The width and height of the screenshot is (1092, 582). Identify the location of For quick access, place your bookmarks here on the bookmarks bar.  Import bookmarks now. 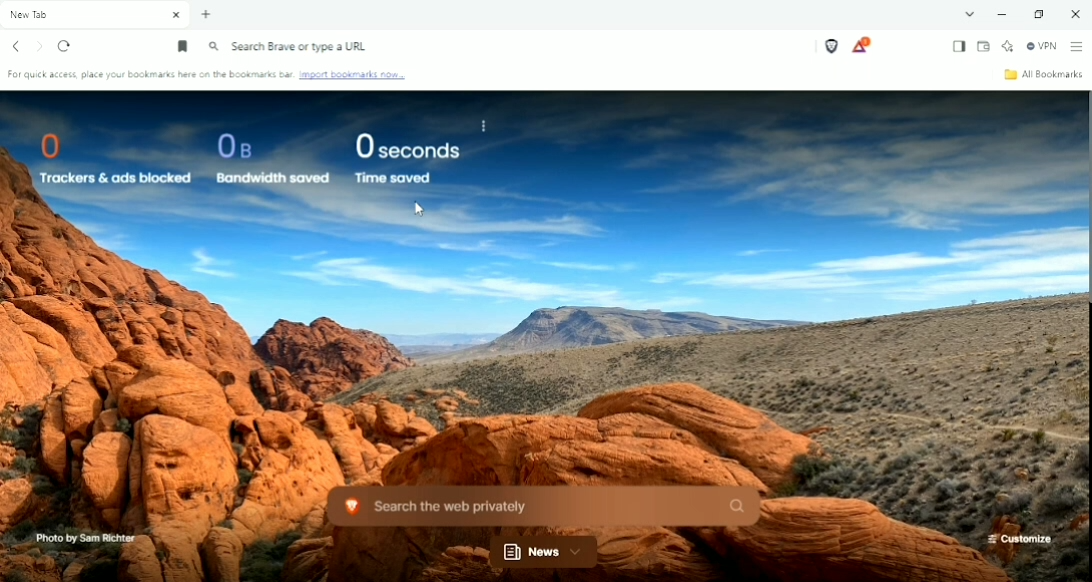
(210, 77).